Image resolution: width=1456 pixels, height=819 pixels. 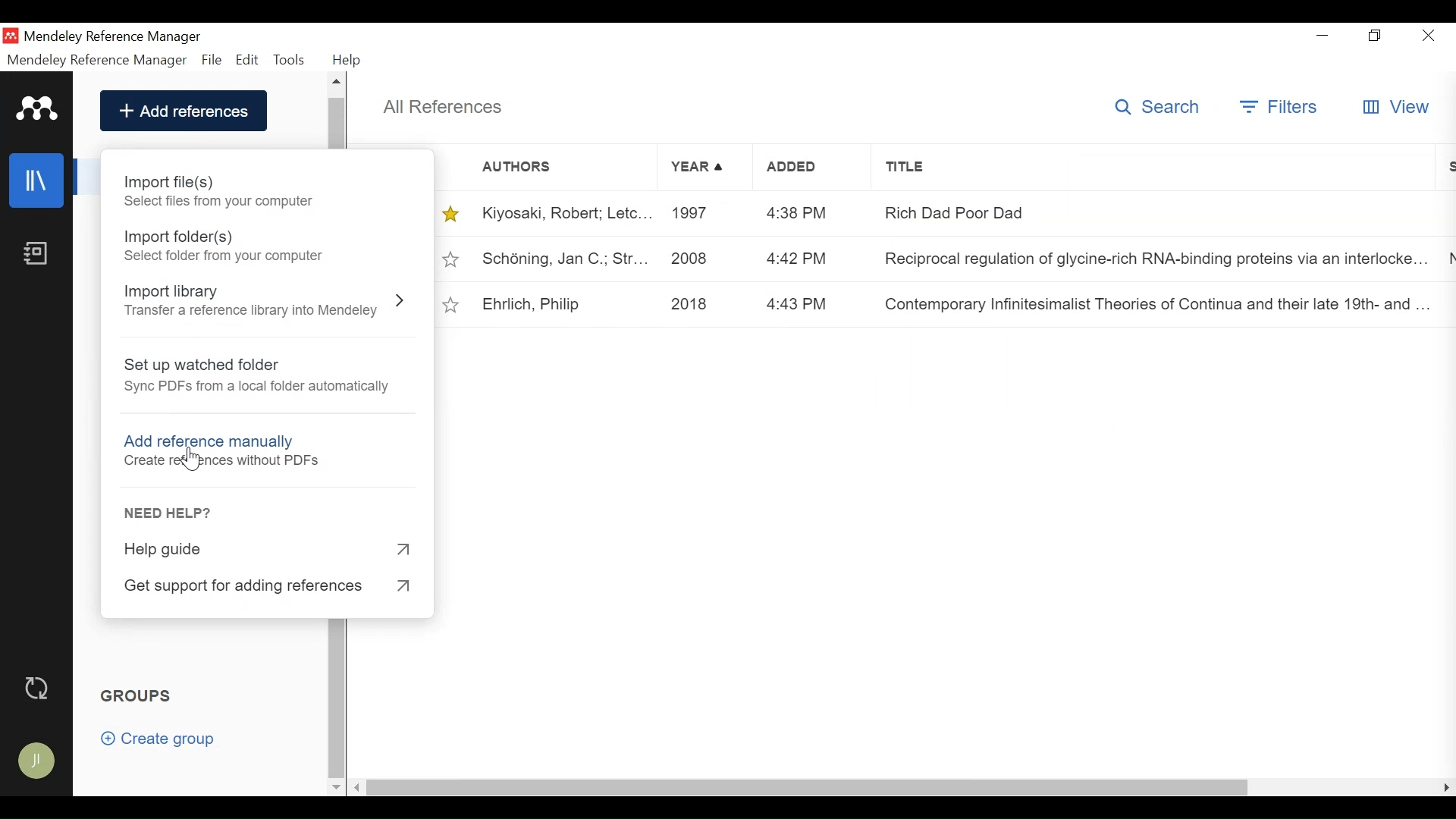 What do you see at coordinates (118, 36) in the screenshot?
I see `Mendeley Reference Manager` at bounding box center [118, 36].